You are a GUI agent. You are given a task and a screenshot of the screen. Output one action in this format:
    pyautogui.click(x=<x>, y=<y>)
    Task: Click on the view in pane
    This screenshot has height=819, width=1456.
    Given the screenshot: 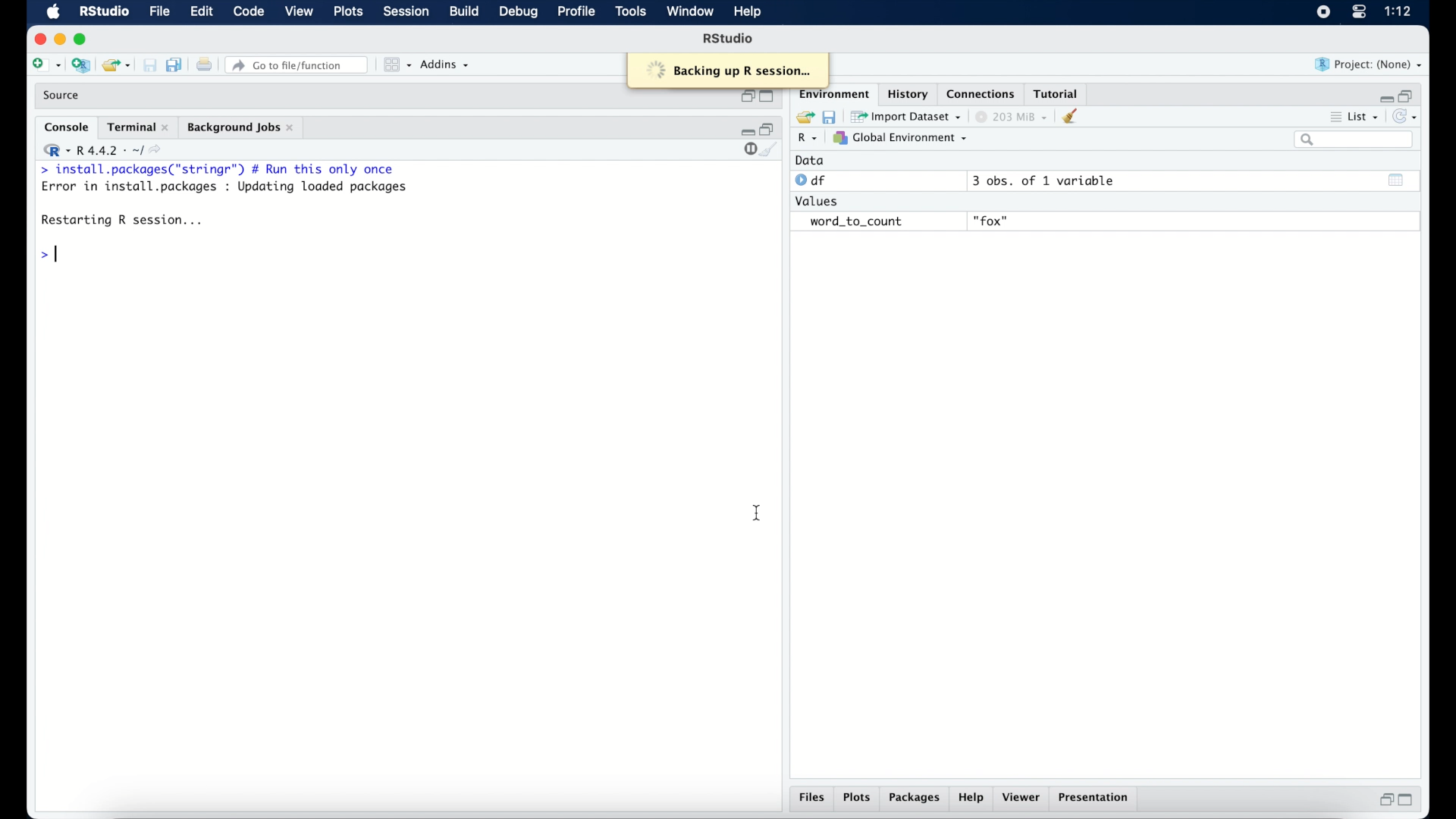 What is the action you would take?
    pyautogui.click(x=396, y=65)
    